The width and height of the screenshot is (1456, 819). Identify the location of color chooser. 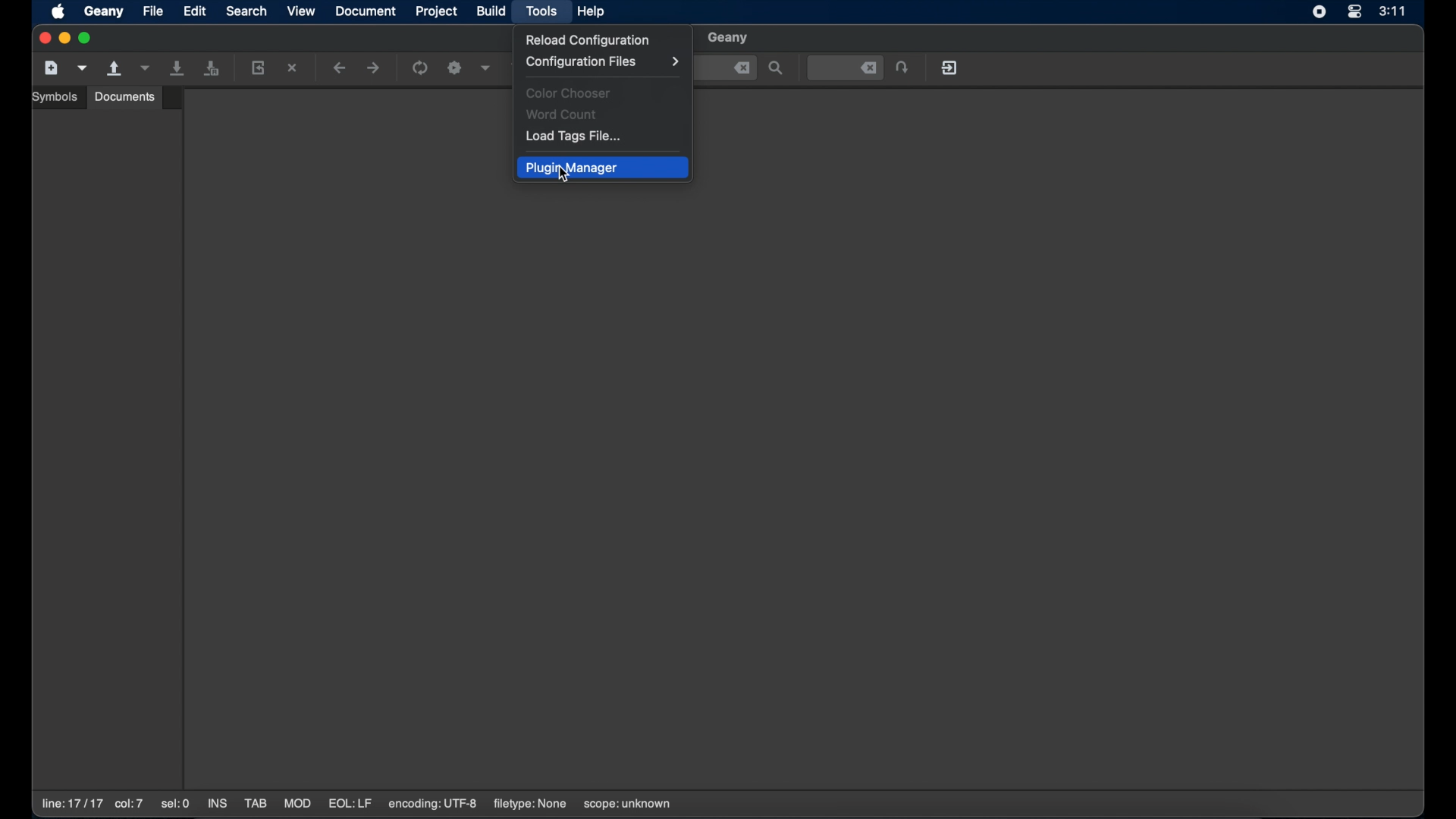
(571, 93).